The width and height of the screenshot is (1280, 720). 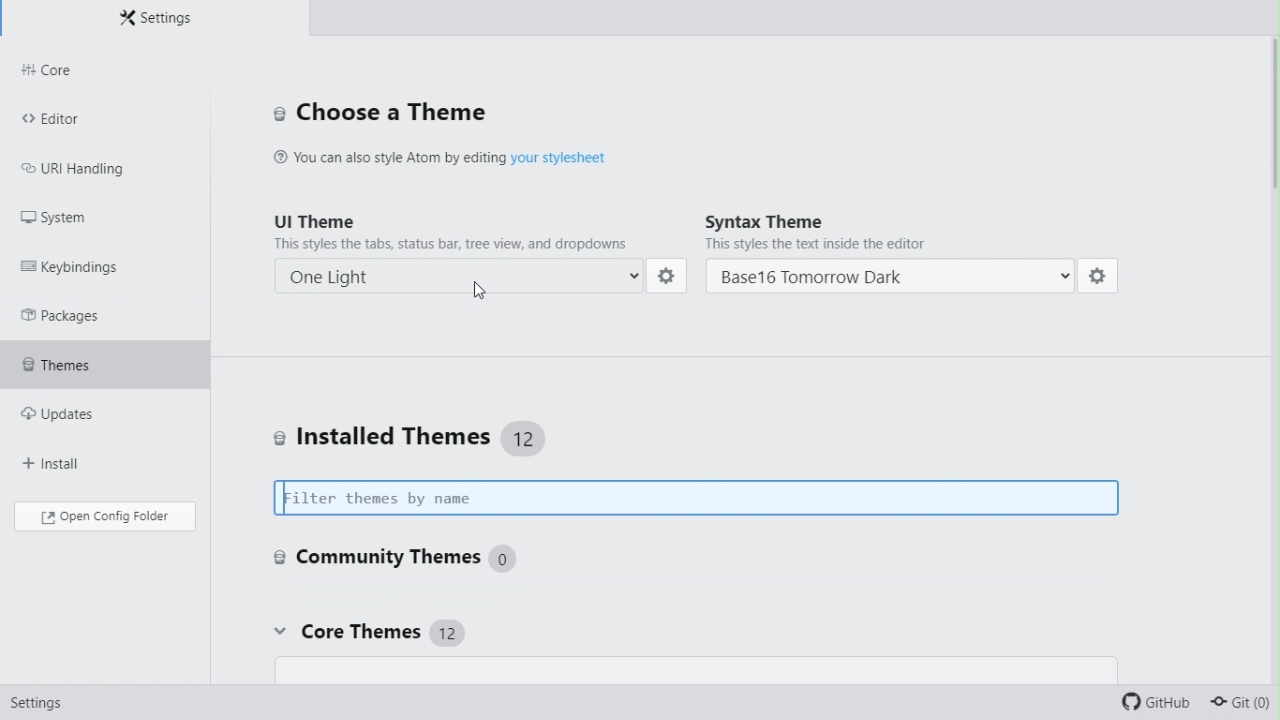 What do you see at coordinates (92, 407) in the screenshot?
I see `updates` at bounding box center [92, 407].